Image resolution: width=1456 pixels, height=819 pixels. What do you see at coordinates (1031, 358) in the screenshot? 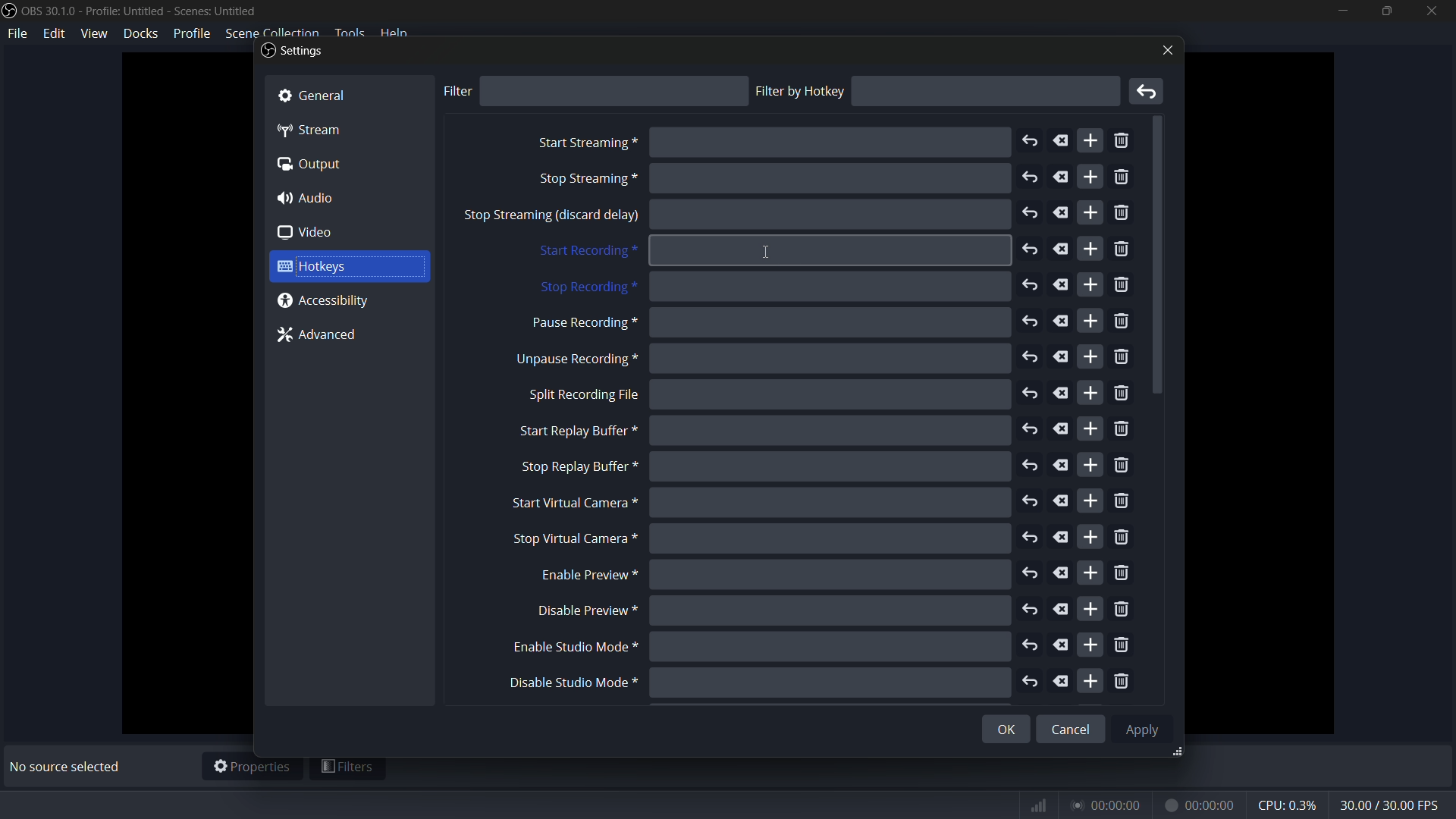
I see `undo` at bounding box center [1031, 358].